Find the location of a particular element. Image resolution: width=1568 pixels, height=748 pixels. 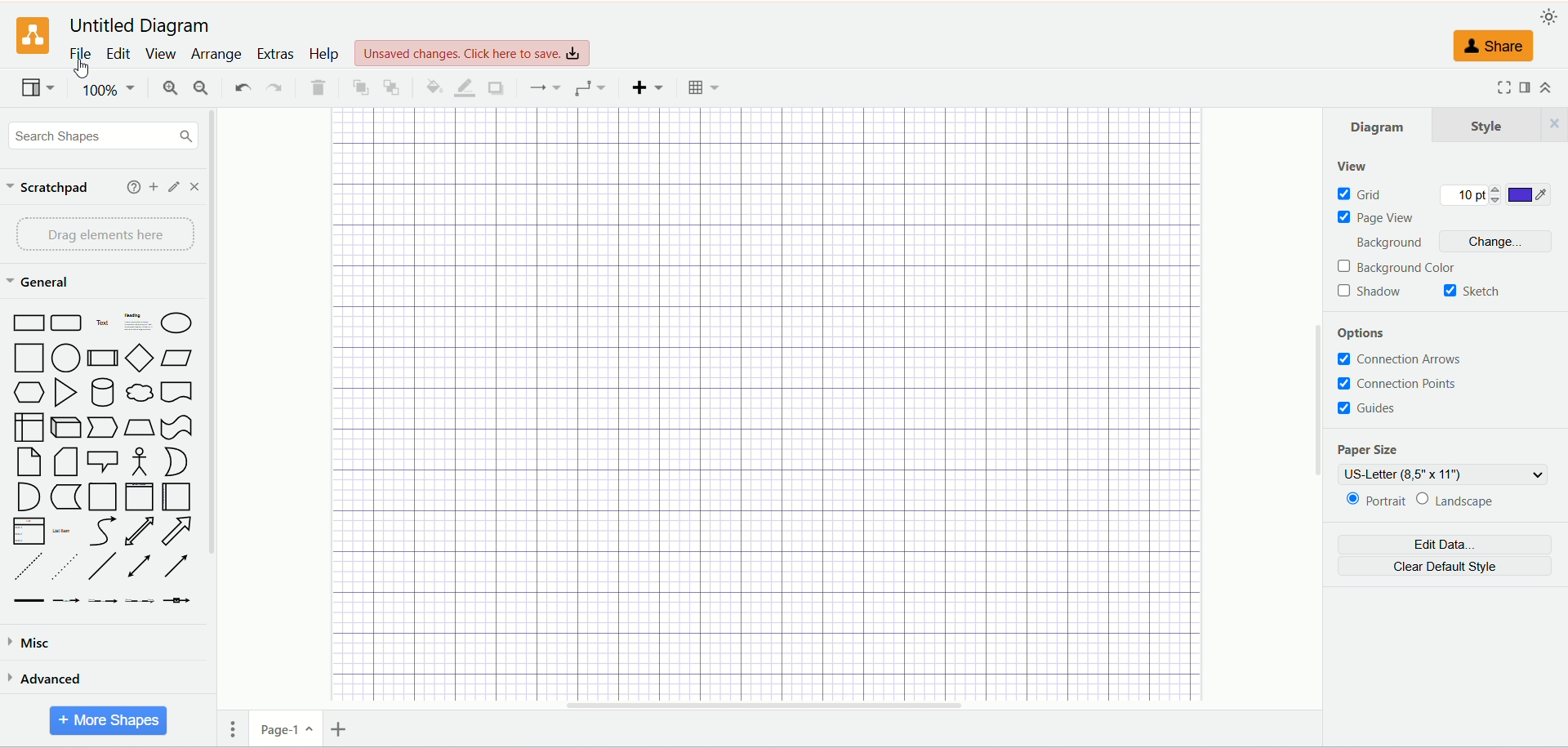

Step is located at coordinates (103, 428).